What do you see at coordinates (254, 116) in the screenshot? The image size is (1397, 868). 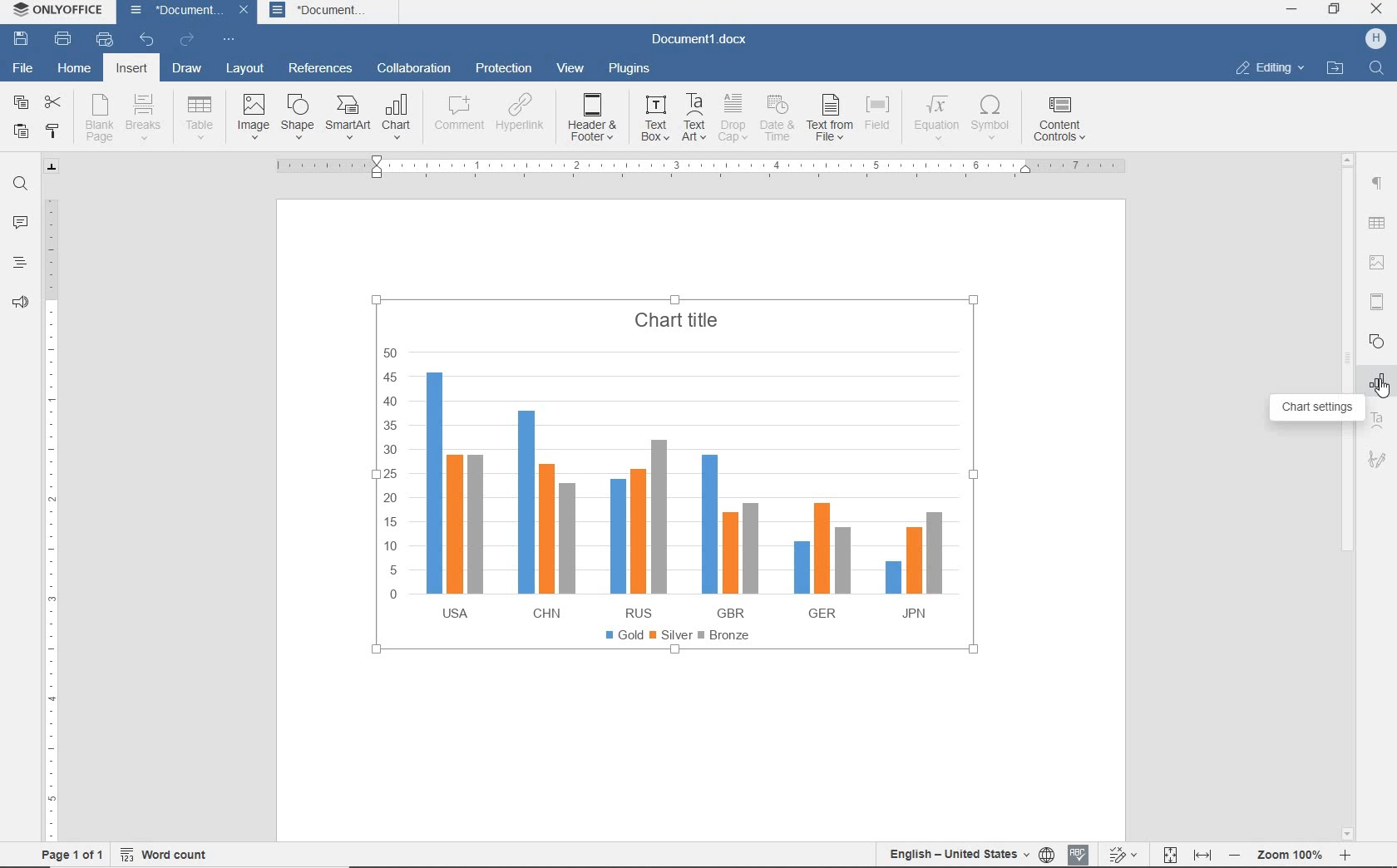 I see `image` at bounding box center [254, 116].